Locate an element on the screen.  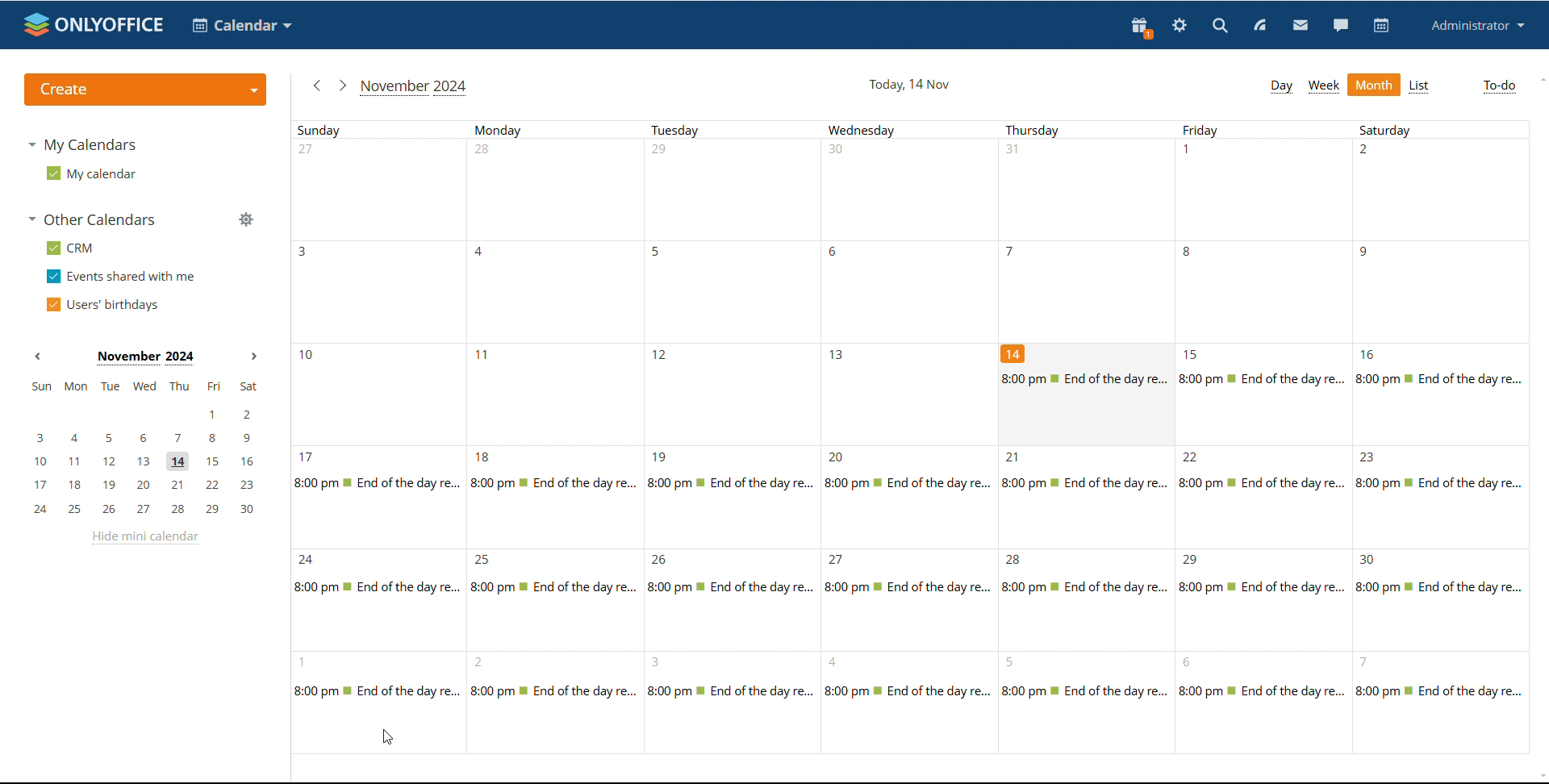
Month on display is located at coordinates (145, 358).